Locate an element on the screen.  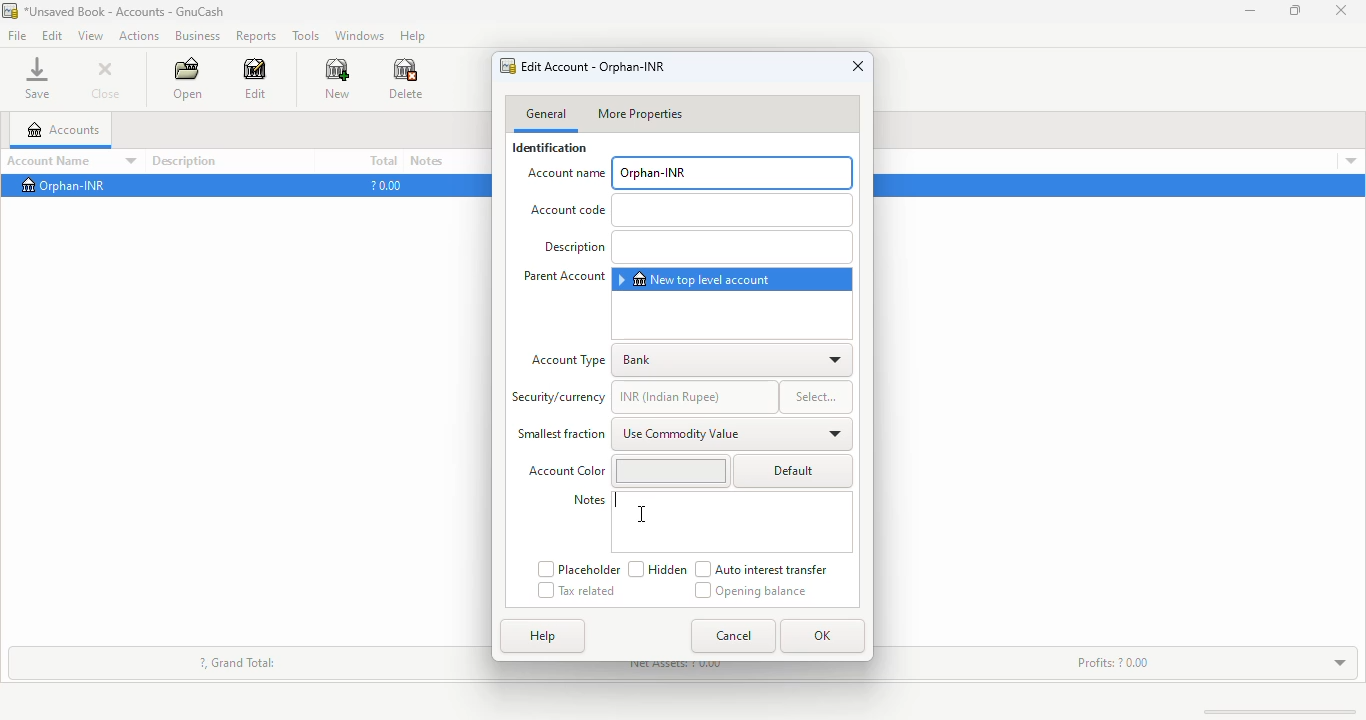
use commodity value is located at coordinates (733, 434).